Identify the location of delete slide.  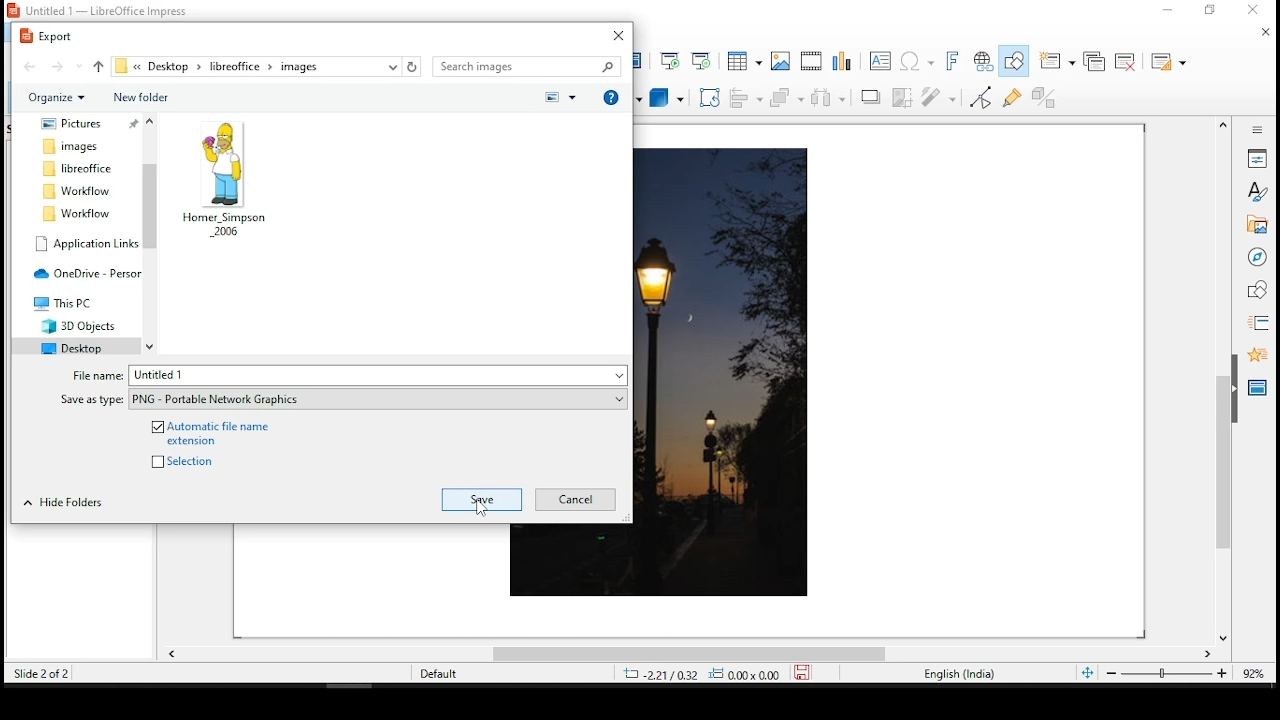
(1126, 59).